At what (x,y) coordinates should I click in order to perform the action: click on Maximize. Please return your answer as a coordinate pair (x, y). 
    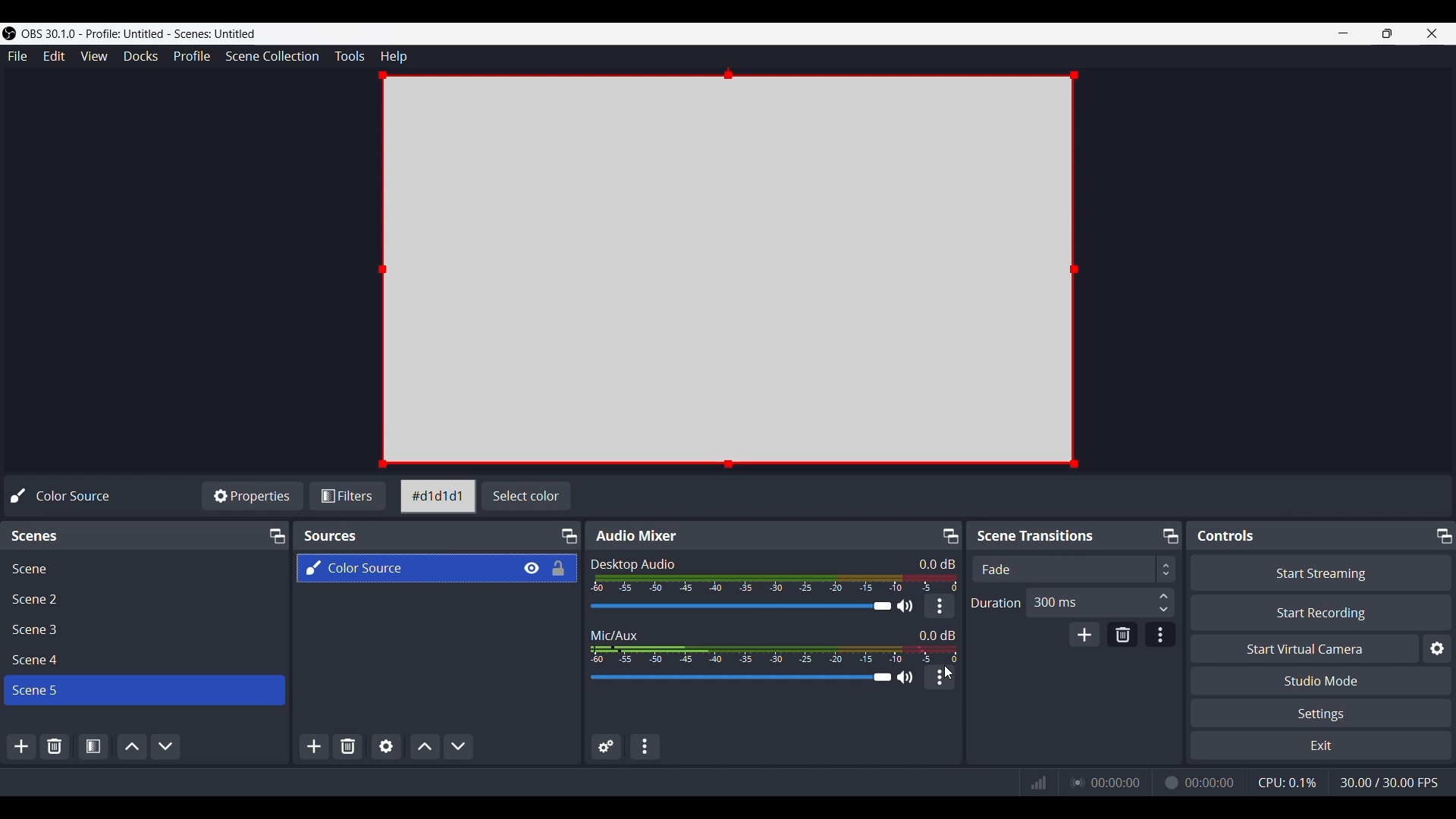
    Looking at the image, I should click on (1444, 535).